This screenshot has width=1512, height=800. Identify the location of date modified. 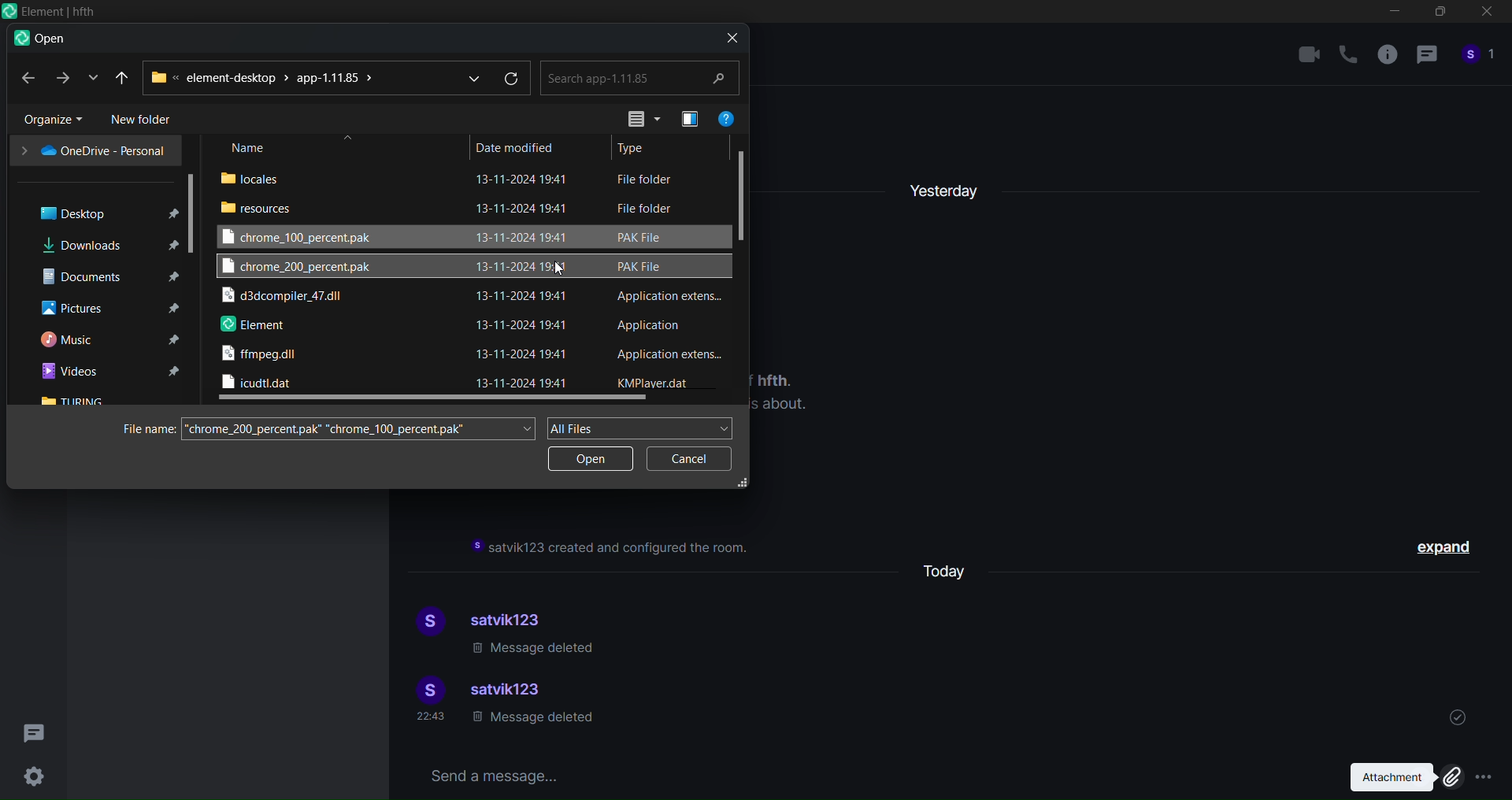
(516, 146).